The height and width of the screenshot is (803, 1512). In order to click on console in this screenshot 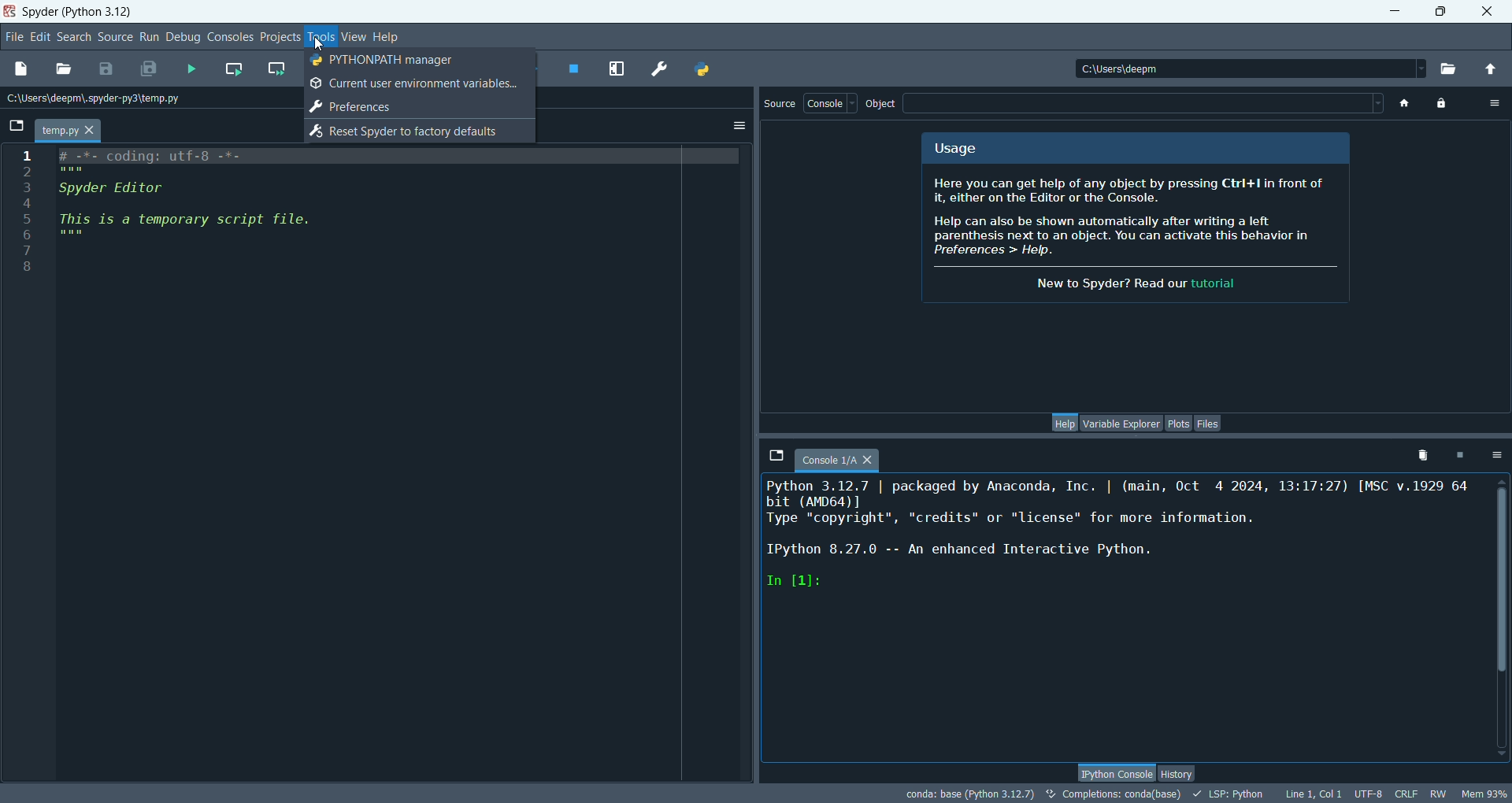, I will do `click(843, 457)`.